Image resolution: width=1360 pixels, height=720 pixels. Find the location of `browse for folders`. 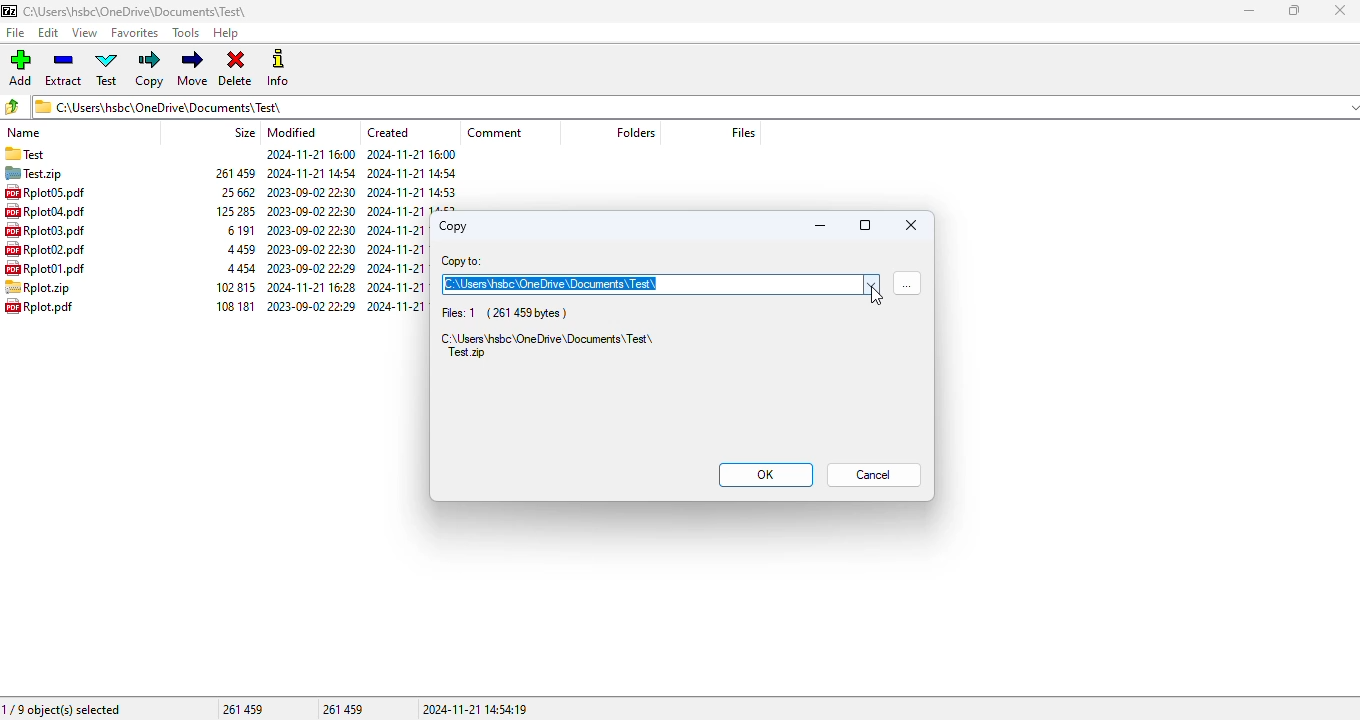

browse for folders is located at coordinates (907, 283).